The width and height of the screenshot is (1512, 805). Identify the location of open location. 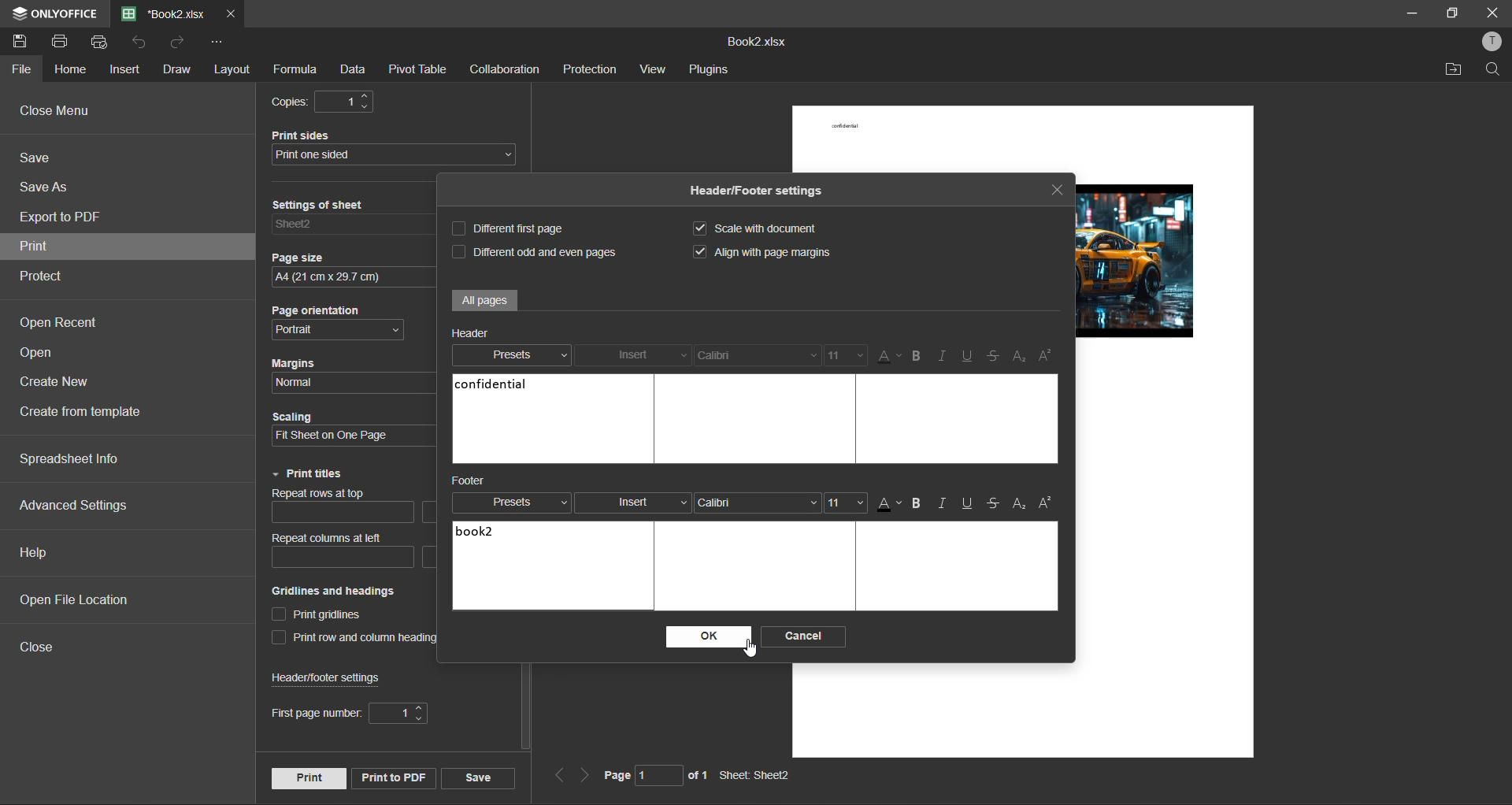
(1451, 69).